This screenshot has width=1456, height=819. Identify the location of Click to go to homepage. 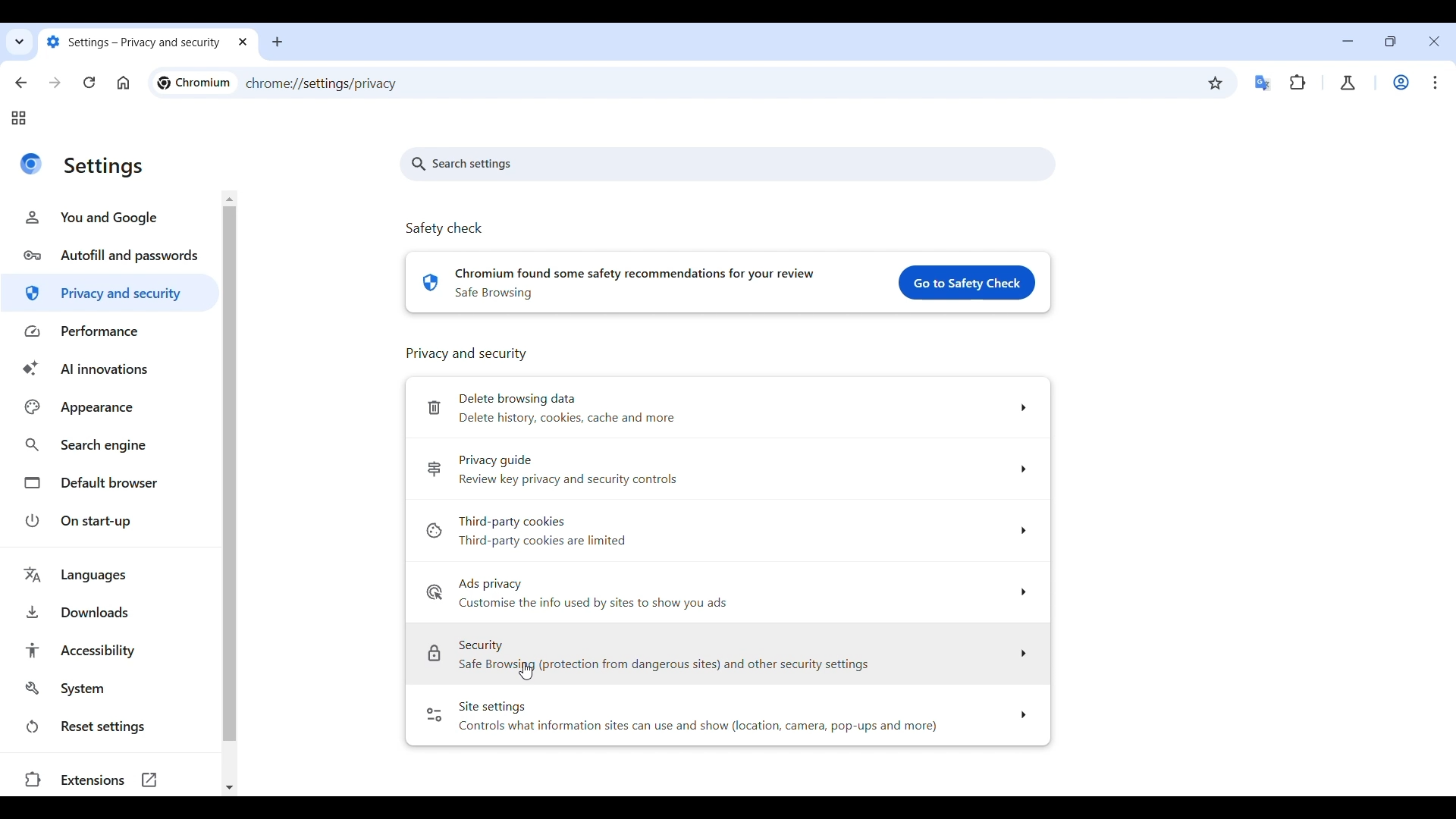
(124, 83).